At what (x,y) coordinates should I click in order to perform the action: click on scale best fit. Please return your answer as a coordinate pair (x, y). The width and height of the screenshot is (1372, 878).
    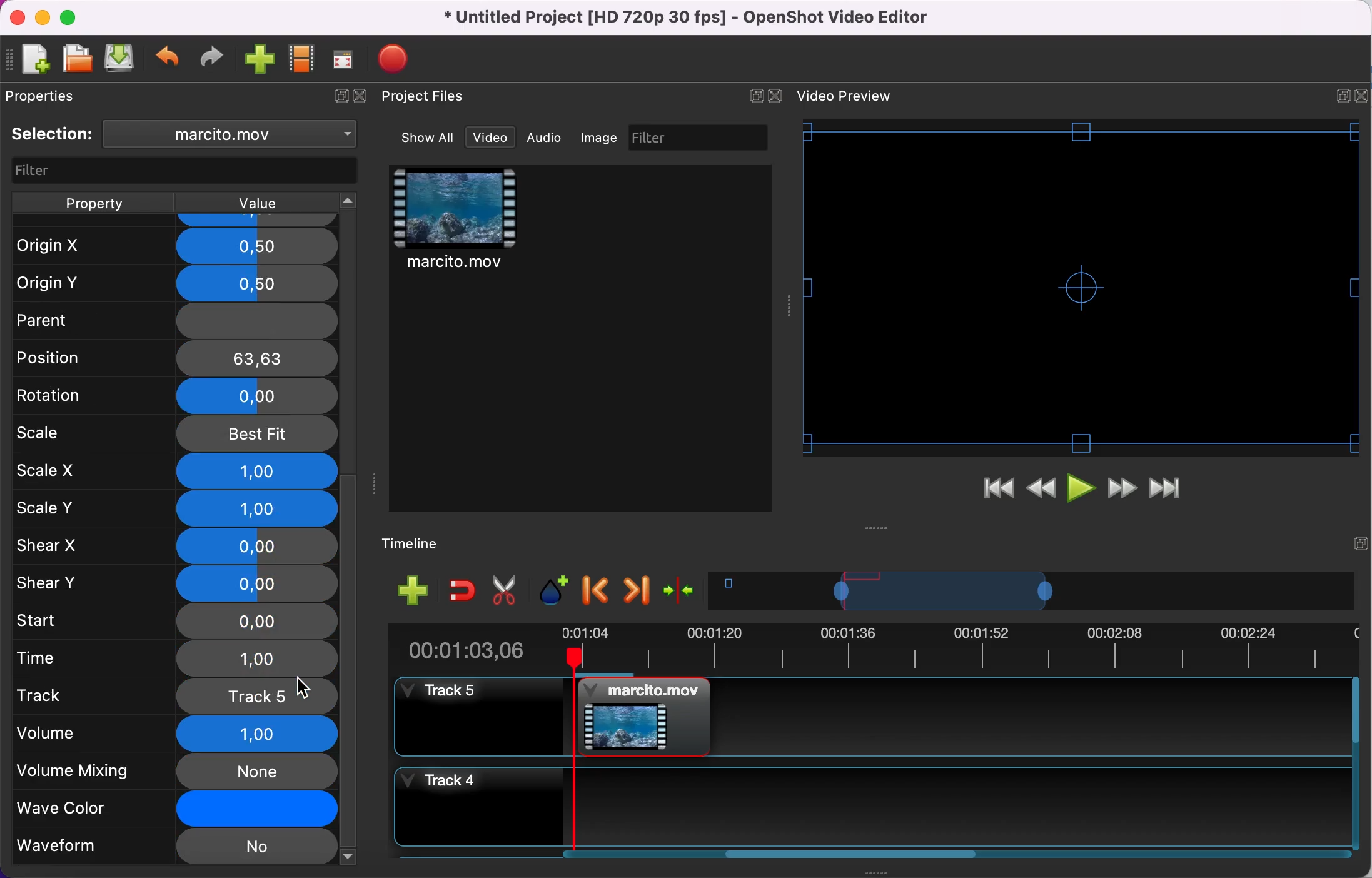
    Looking at the image, I should click on (176, 435).